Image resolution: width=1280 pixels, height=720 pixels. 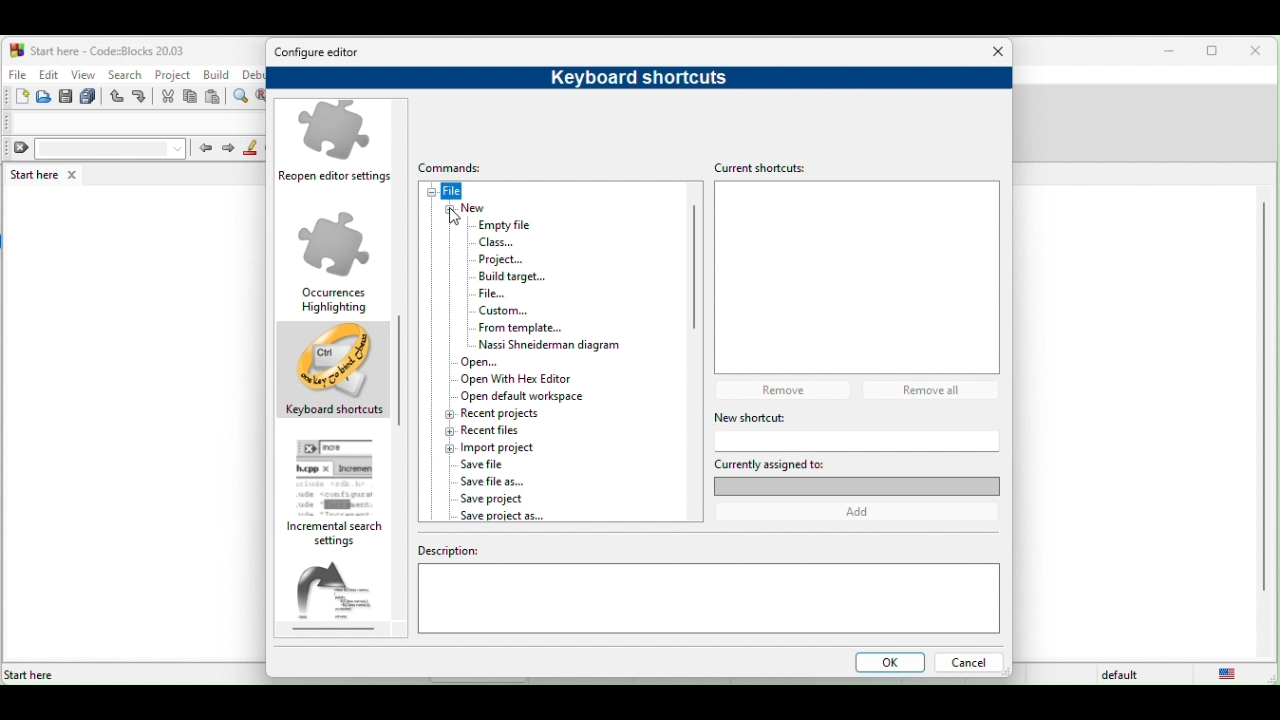 I want to click on ok, so click(x=886, y=664).